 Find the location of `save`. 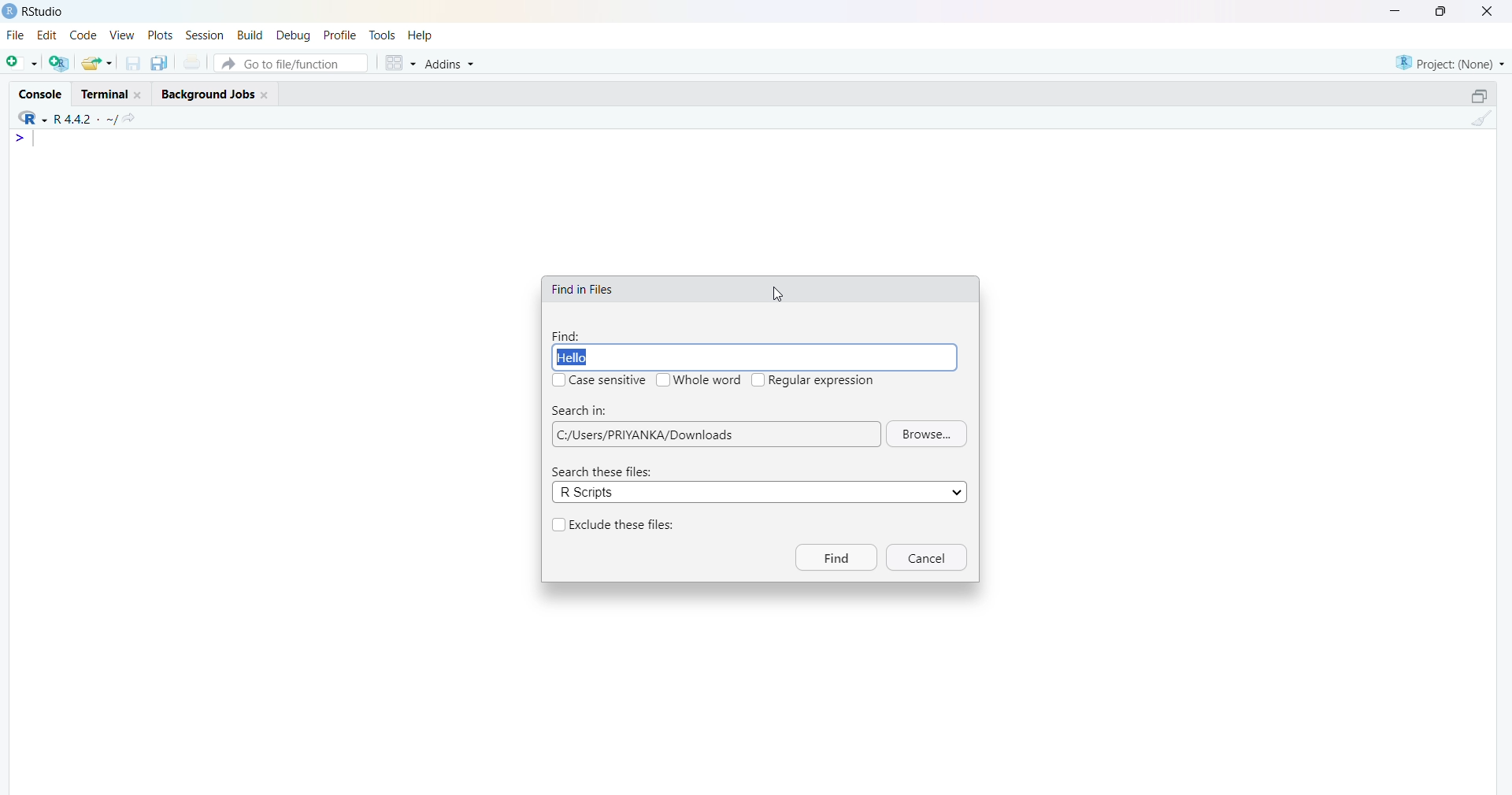

save is located at coordinates (135, 64).